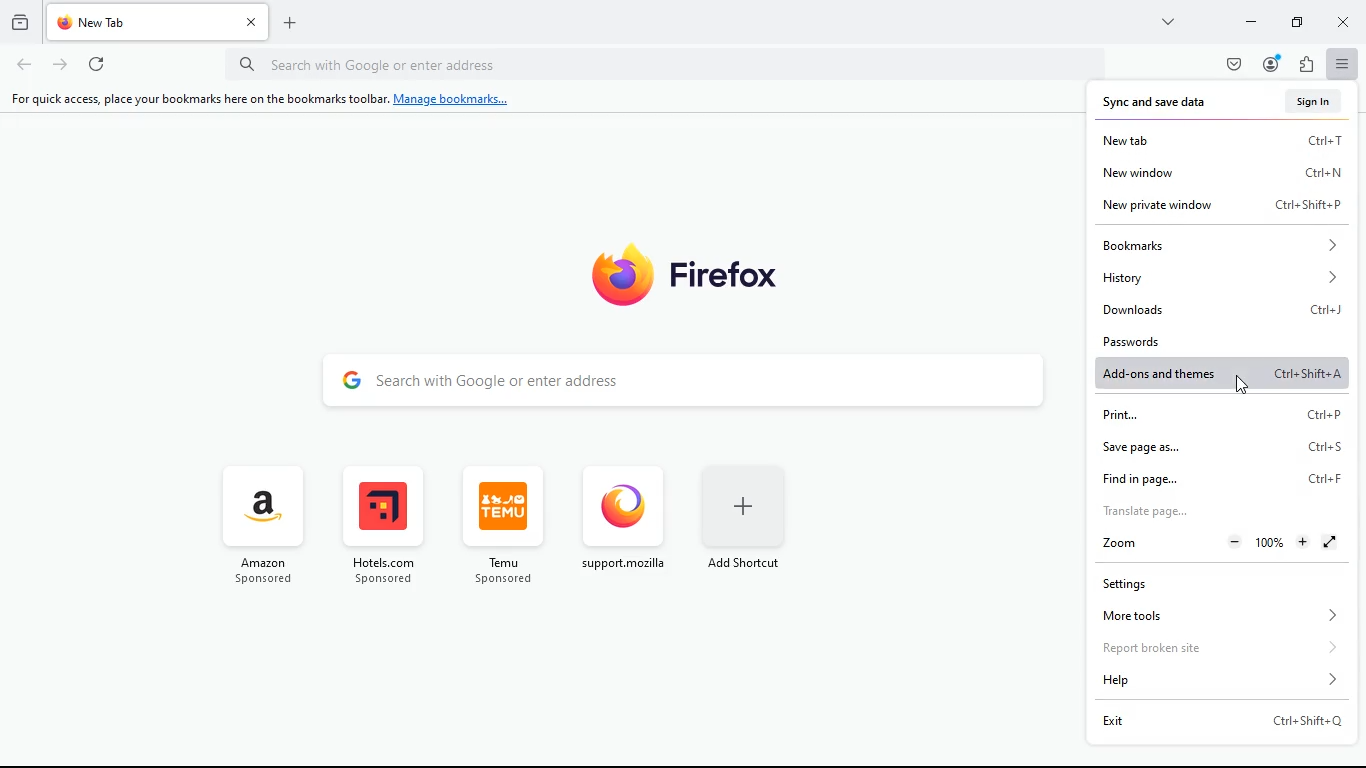 The height and width of the screenshot is (768, 1366). What do you see at coordinates (1227, 204) in the screenshot?
I see `new private window  ctrl+shift+p` at bounding box center [1227, 204].